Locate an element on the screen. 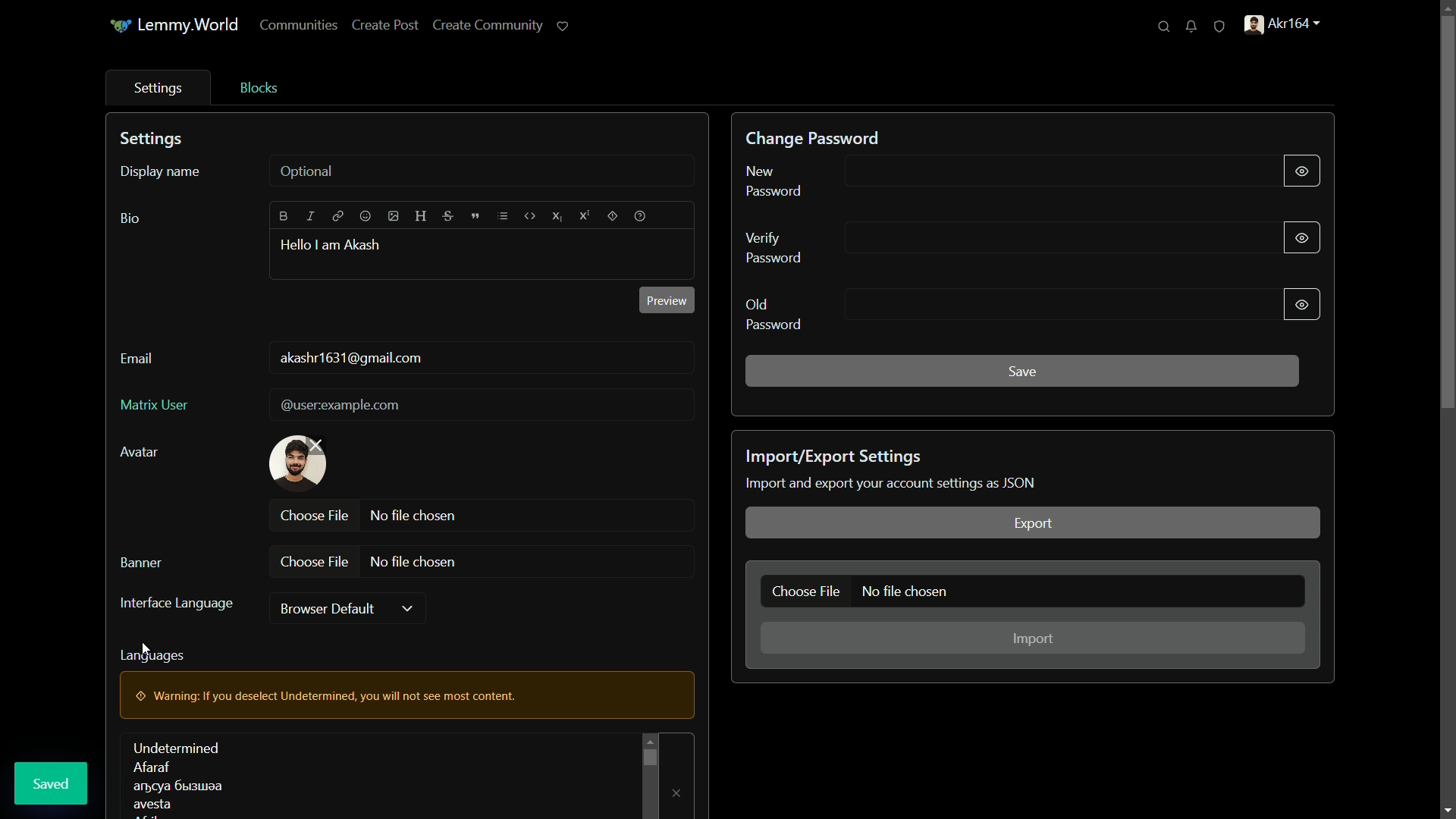 This screenshot has height=819, width=1456. show/hide is located at coordinates (1302, 170).